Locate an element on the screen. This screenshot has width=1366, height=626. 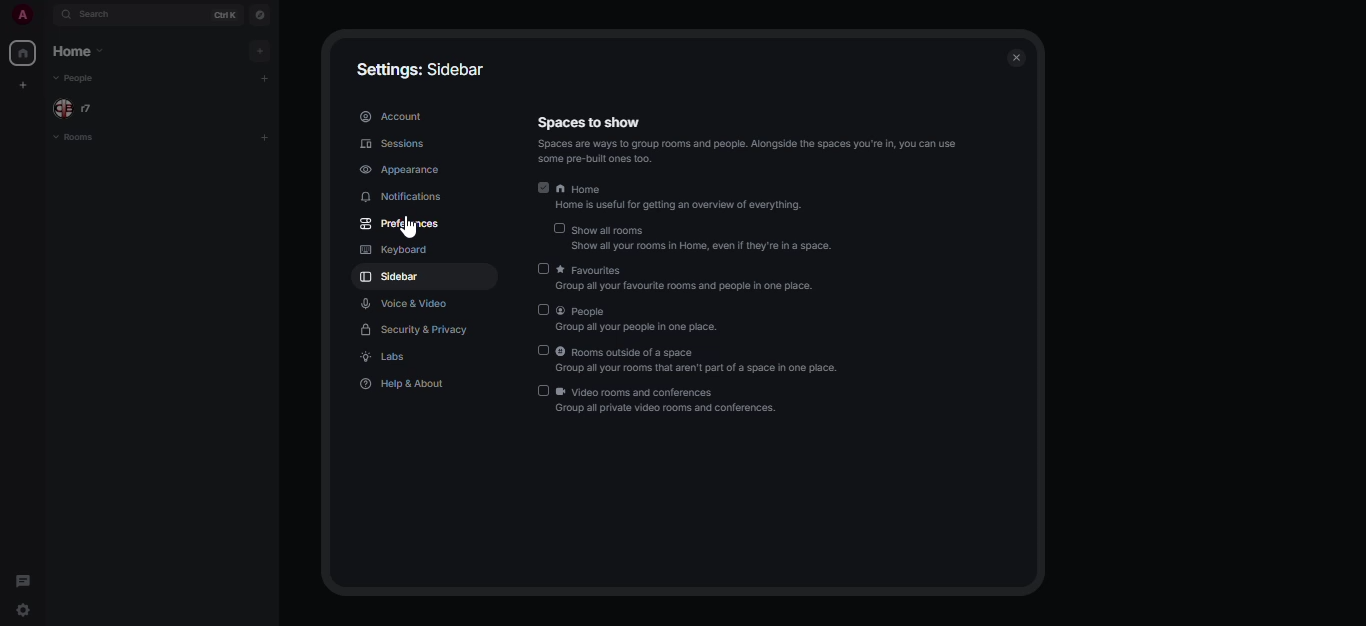
search is located at coordinates (97, 13).